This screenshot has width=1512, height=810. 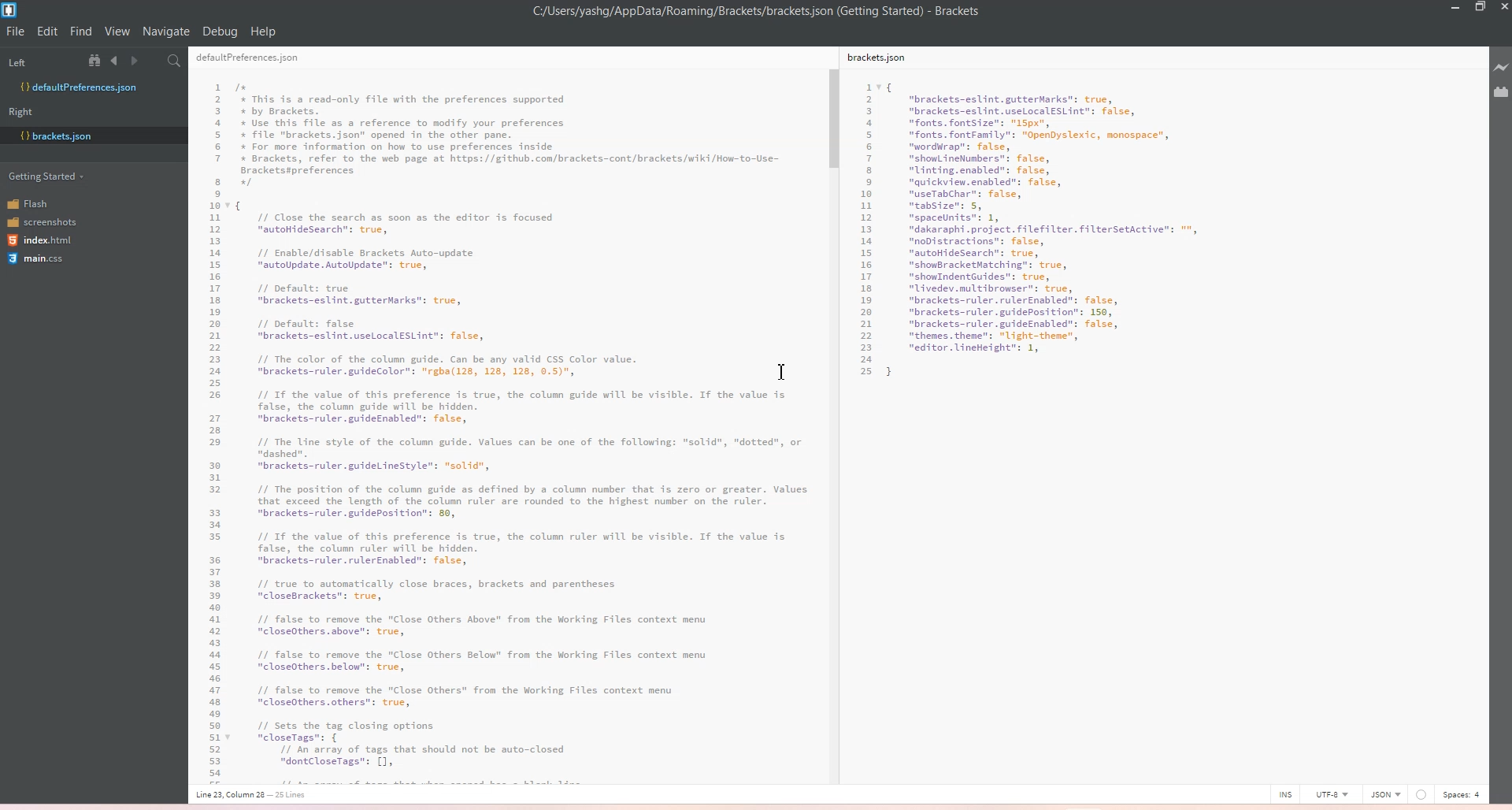 I want to click on Edit, so click(x=49, y=32).